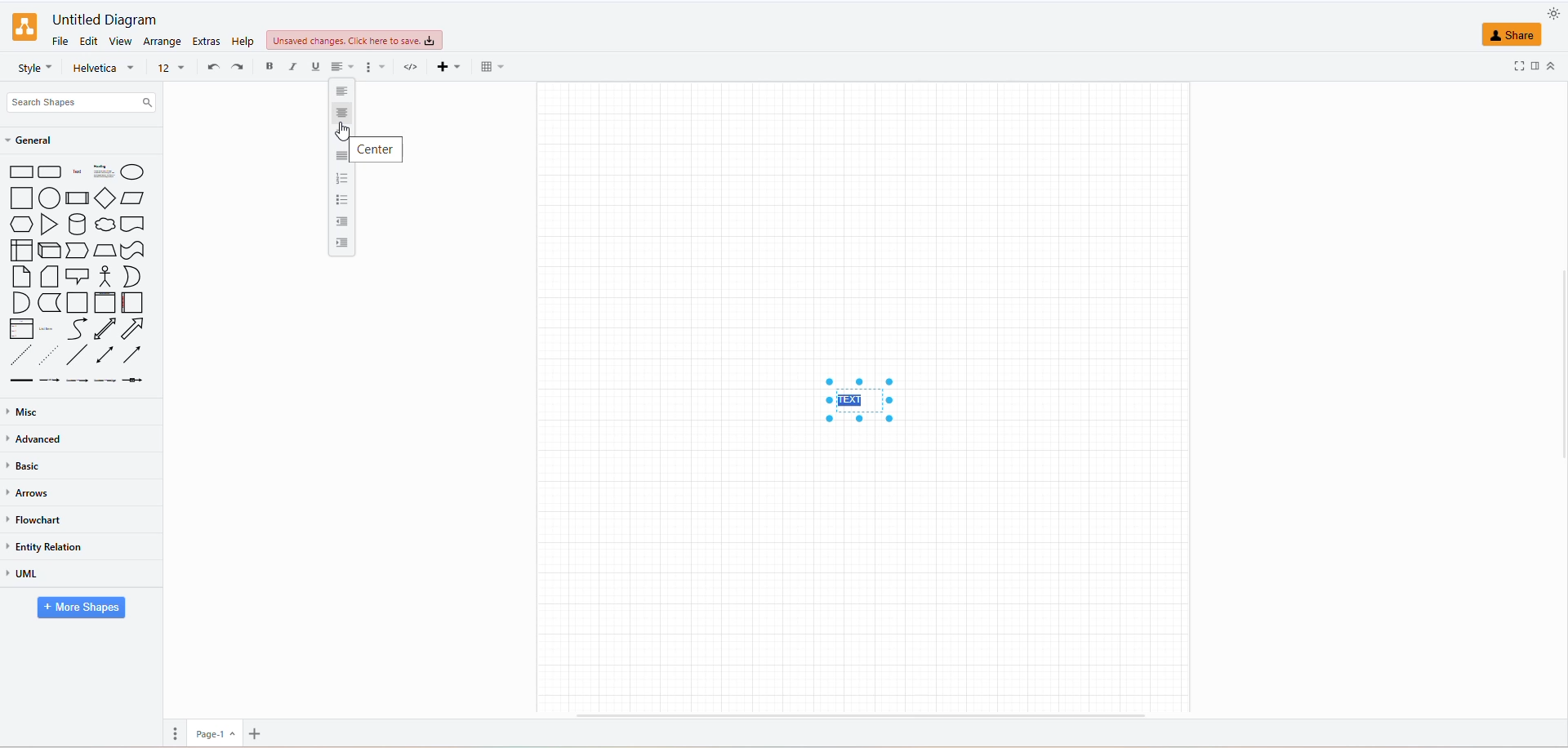 The image size is (1568, 748). What do you see at coordinates (37, 519) in the screenshot?
I see `flowchart` at bounding box center [37, 519].